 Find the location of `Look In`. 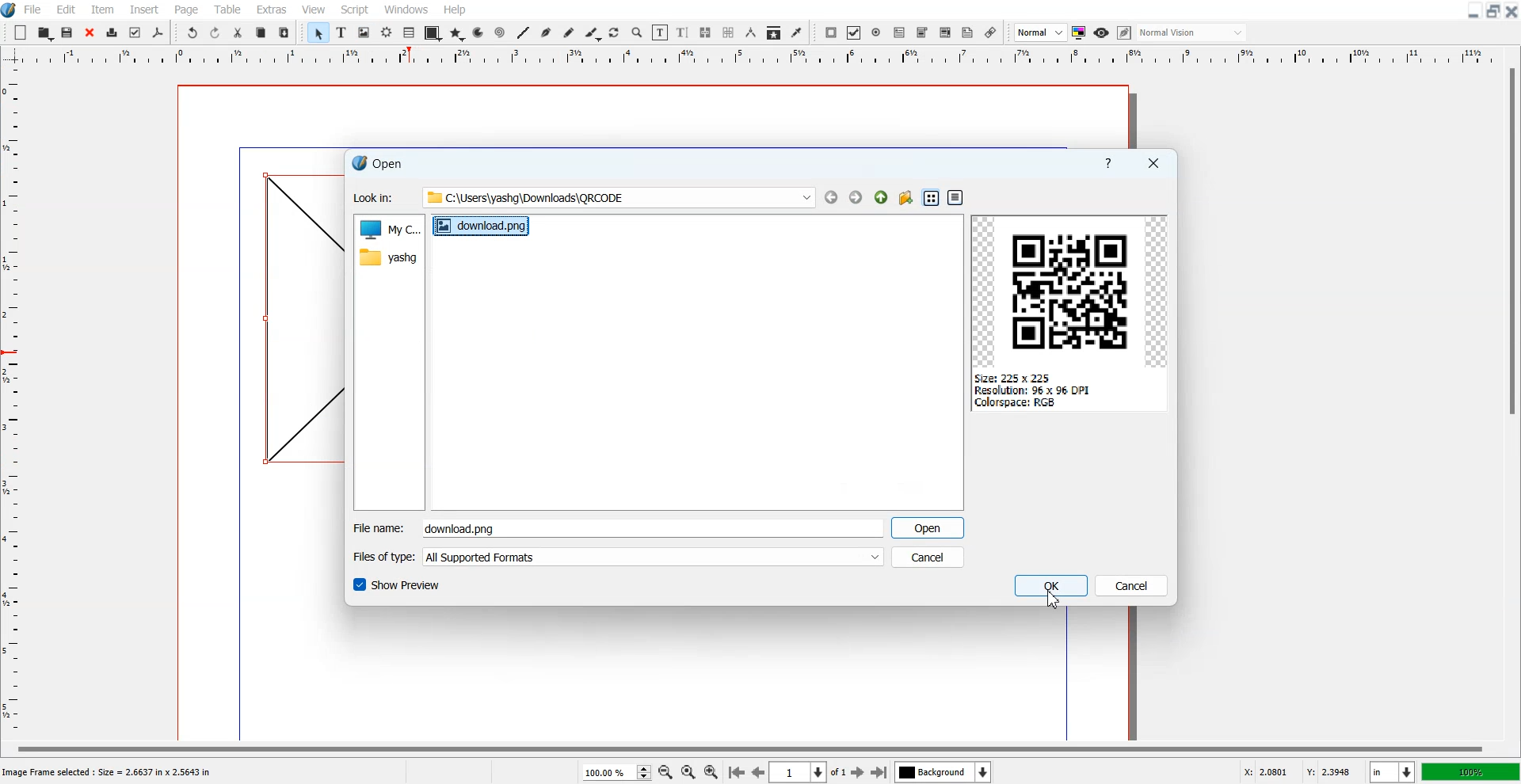

Look In is located at coordinates (582, 198).